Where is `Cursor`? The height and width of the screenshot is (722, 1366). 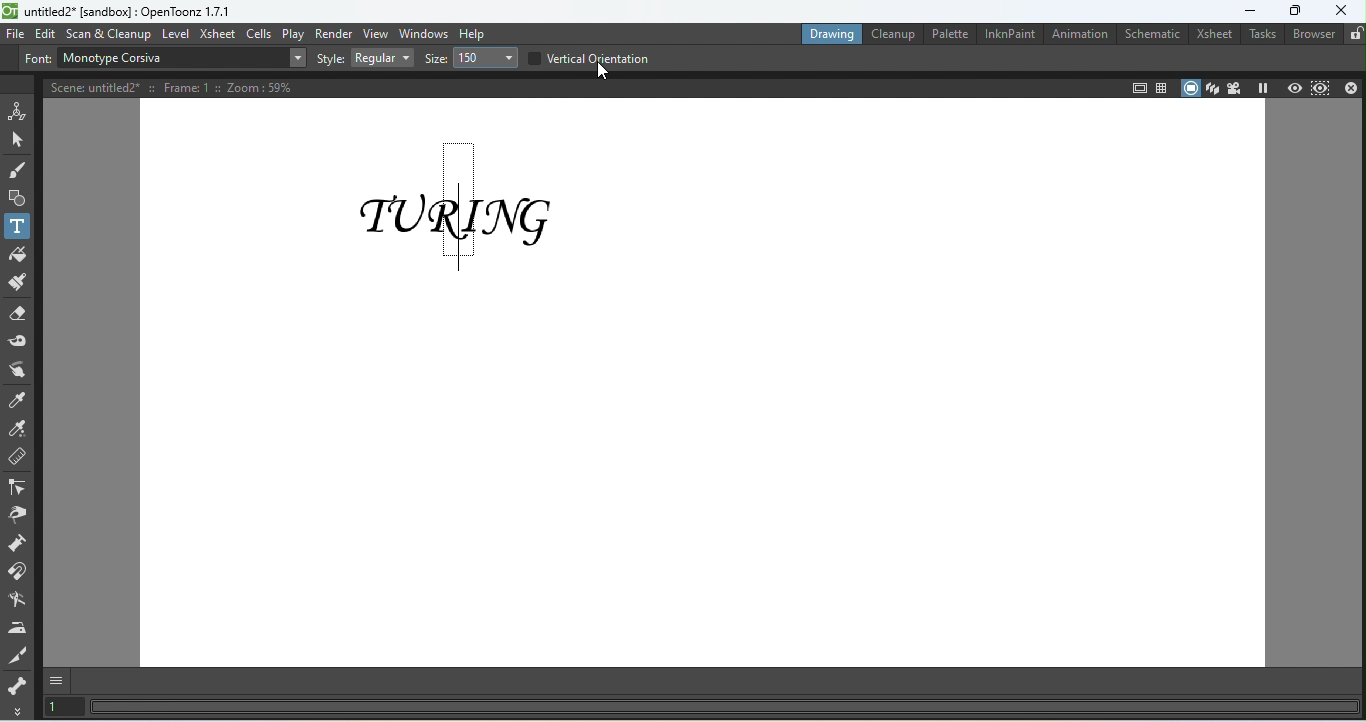
Cursor is located at coordinates (609, 75).